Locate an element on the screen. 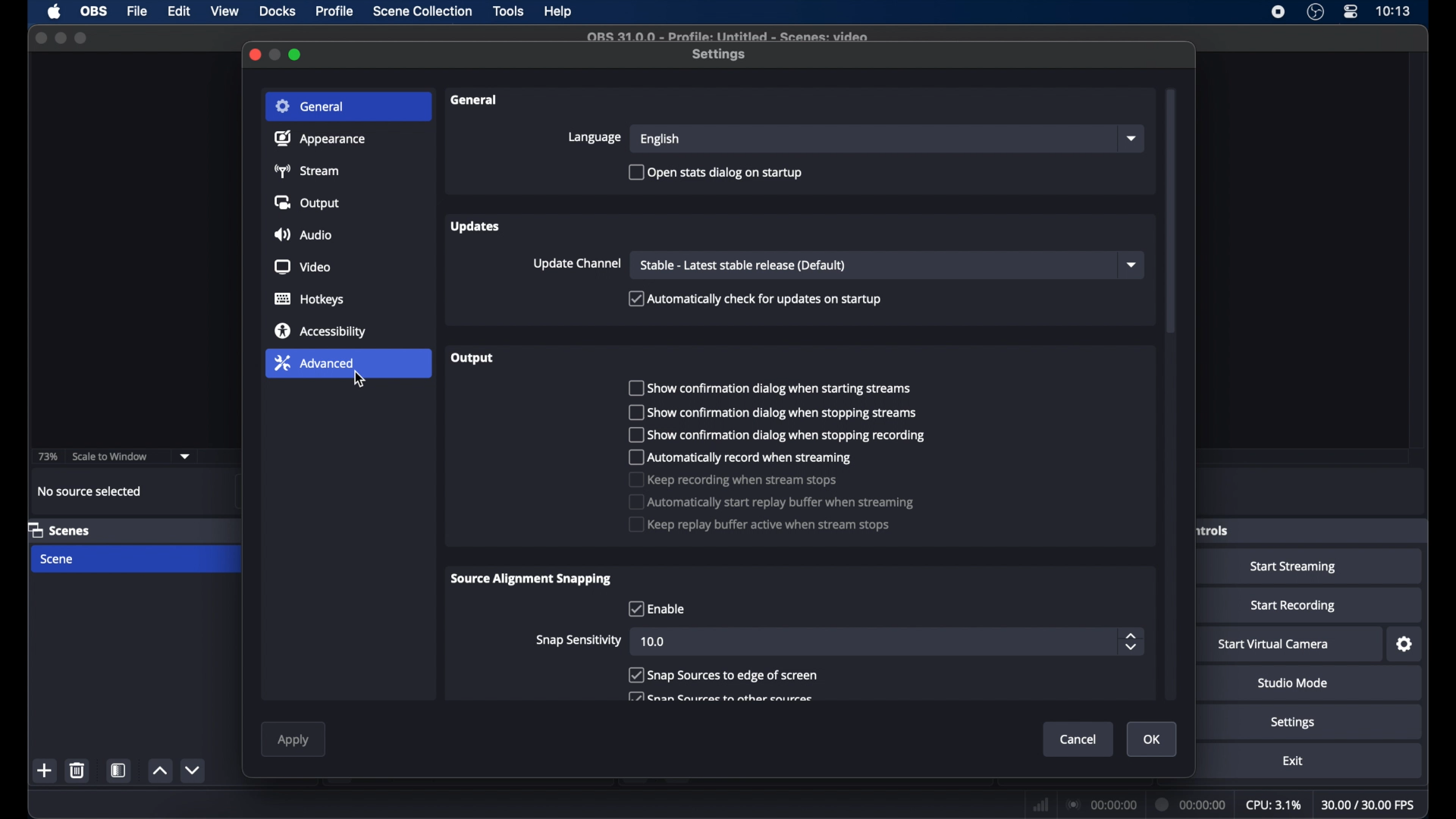 The width and height of the screenshot is (1456, 819). cancel is located at coordinates (1080, 739).